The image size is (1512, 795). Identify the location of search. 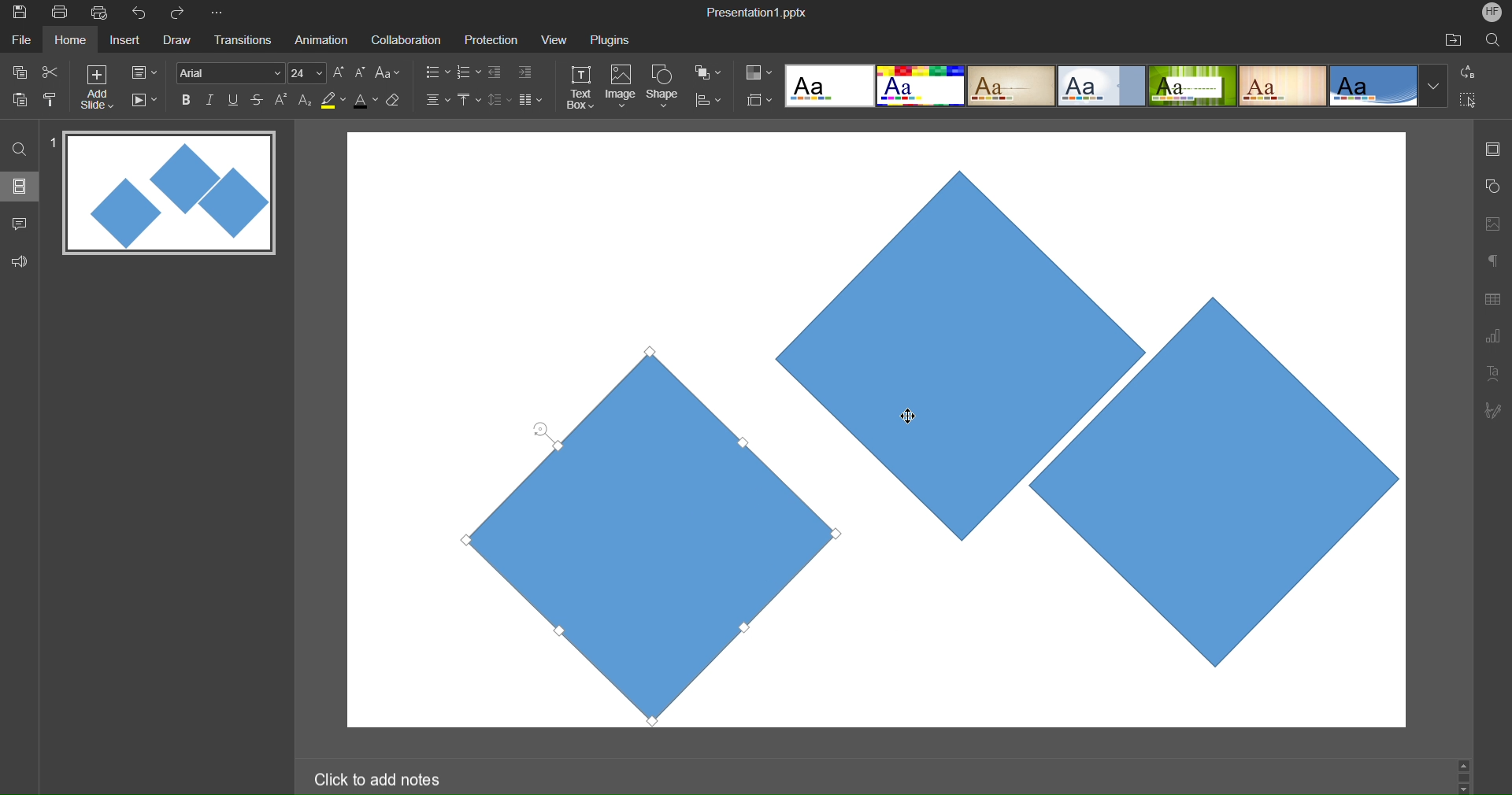
(1495, 39).